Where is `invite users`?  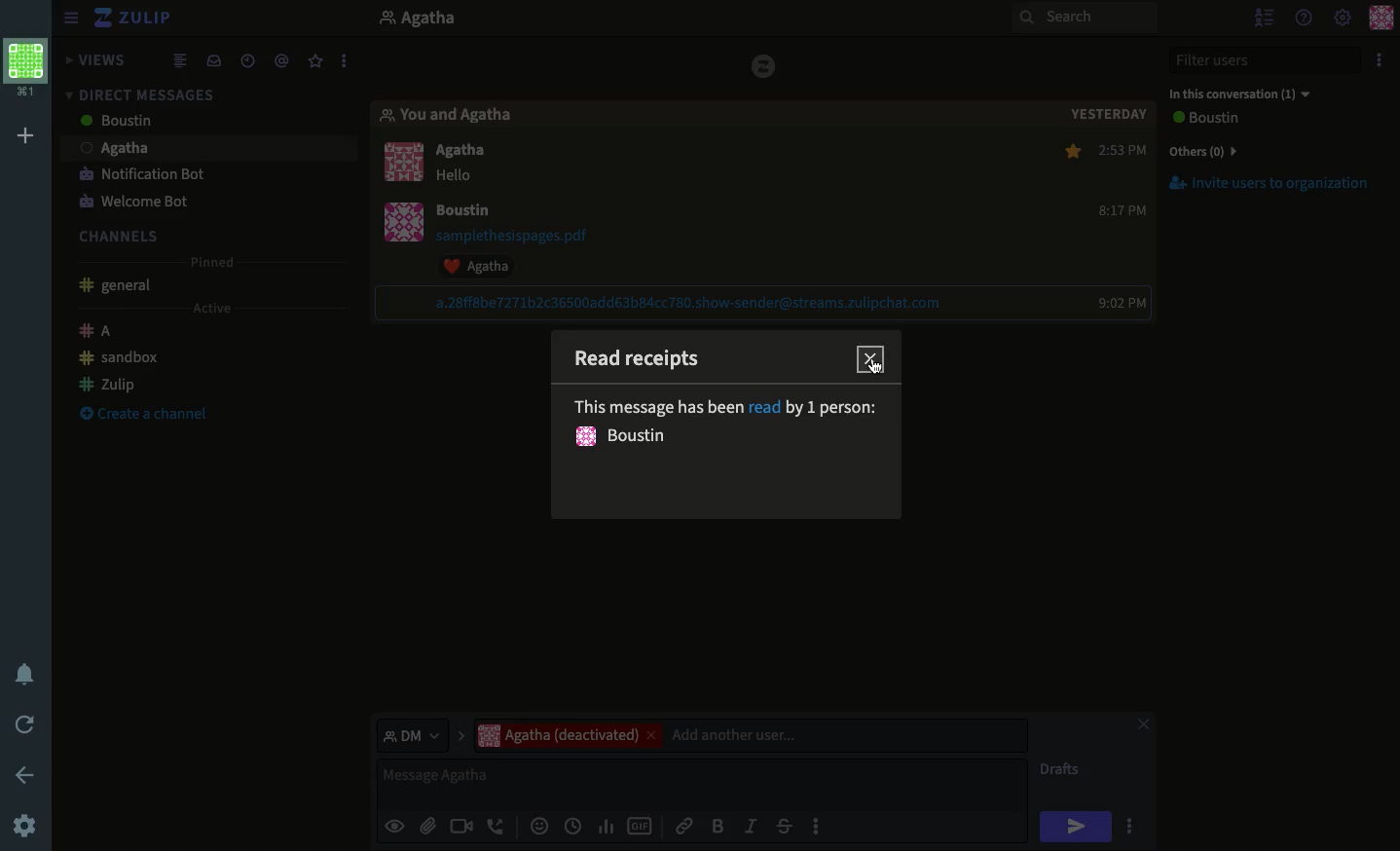 invite users is located at coordinates (1274, 191).